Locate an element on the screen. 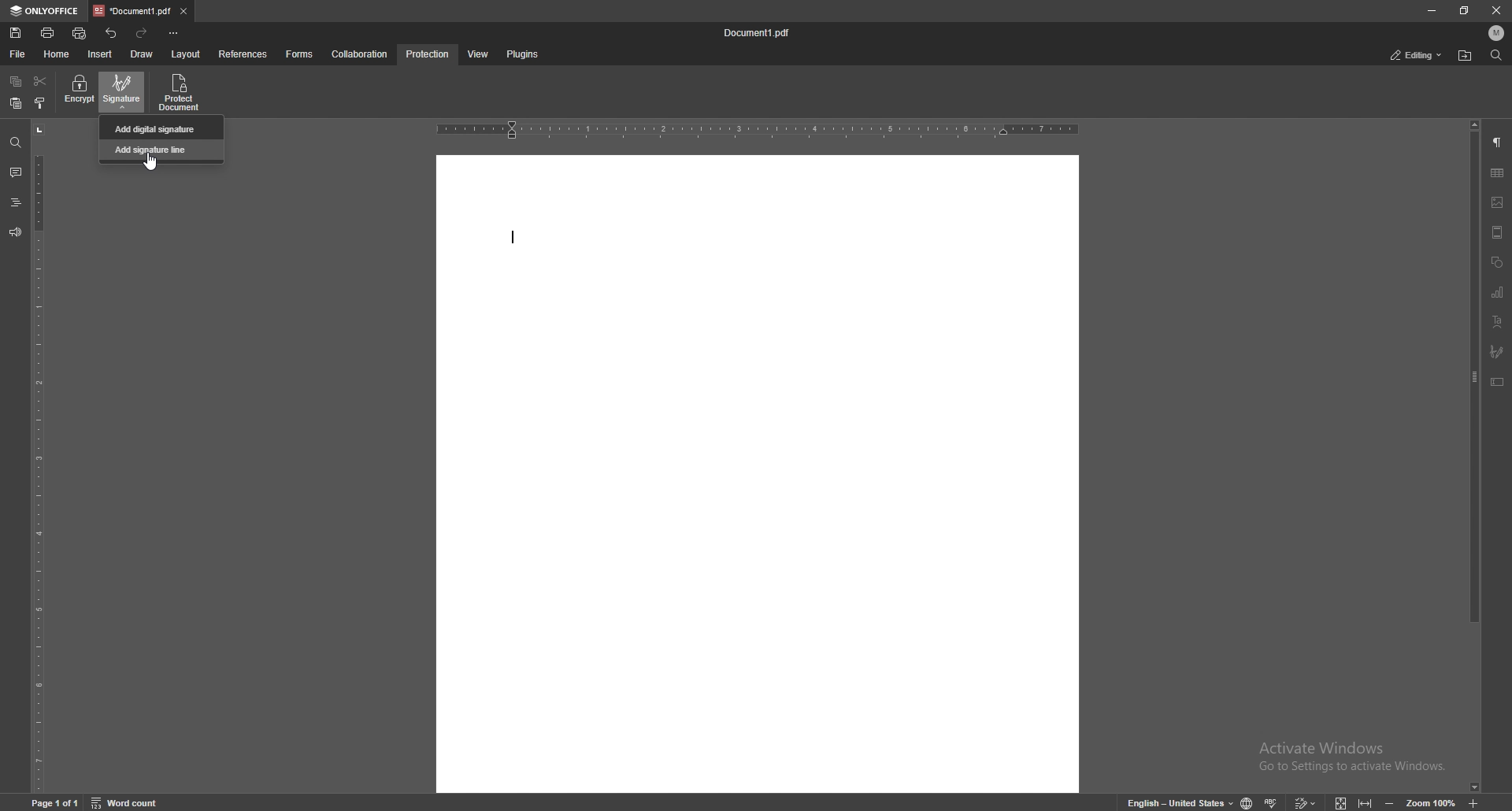 This screenshot has width=1512, height=811. find is located at coordinates (16, 143).